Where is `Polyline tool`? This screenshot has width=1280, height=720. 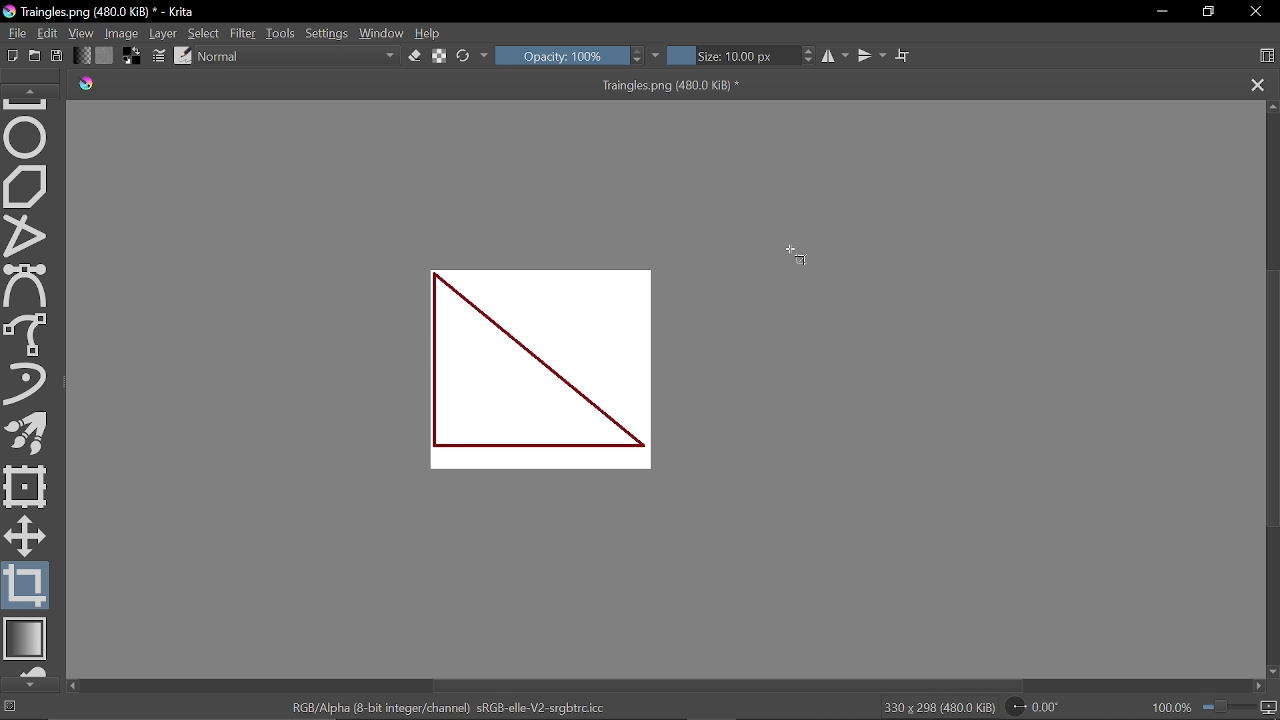
Polyline tool is located at coordinates (27, 237).